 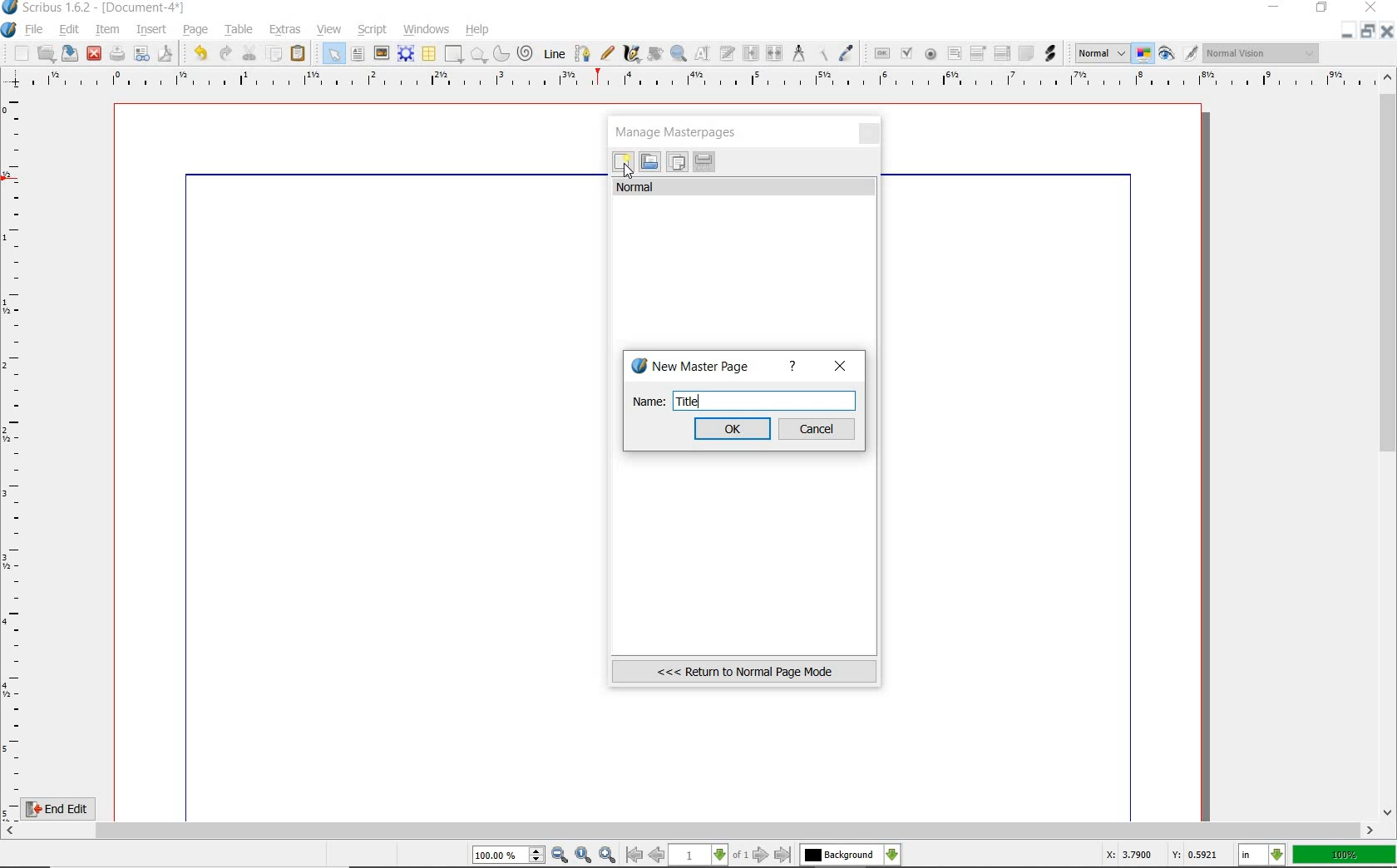 What do you see at coordinates (299, 54) in the screenshot?
I see `paste` at bounding box center [299, 54].